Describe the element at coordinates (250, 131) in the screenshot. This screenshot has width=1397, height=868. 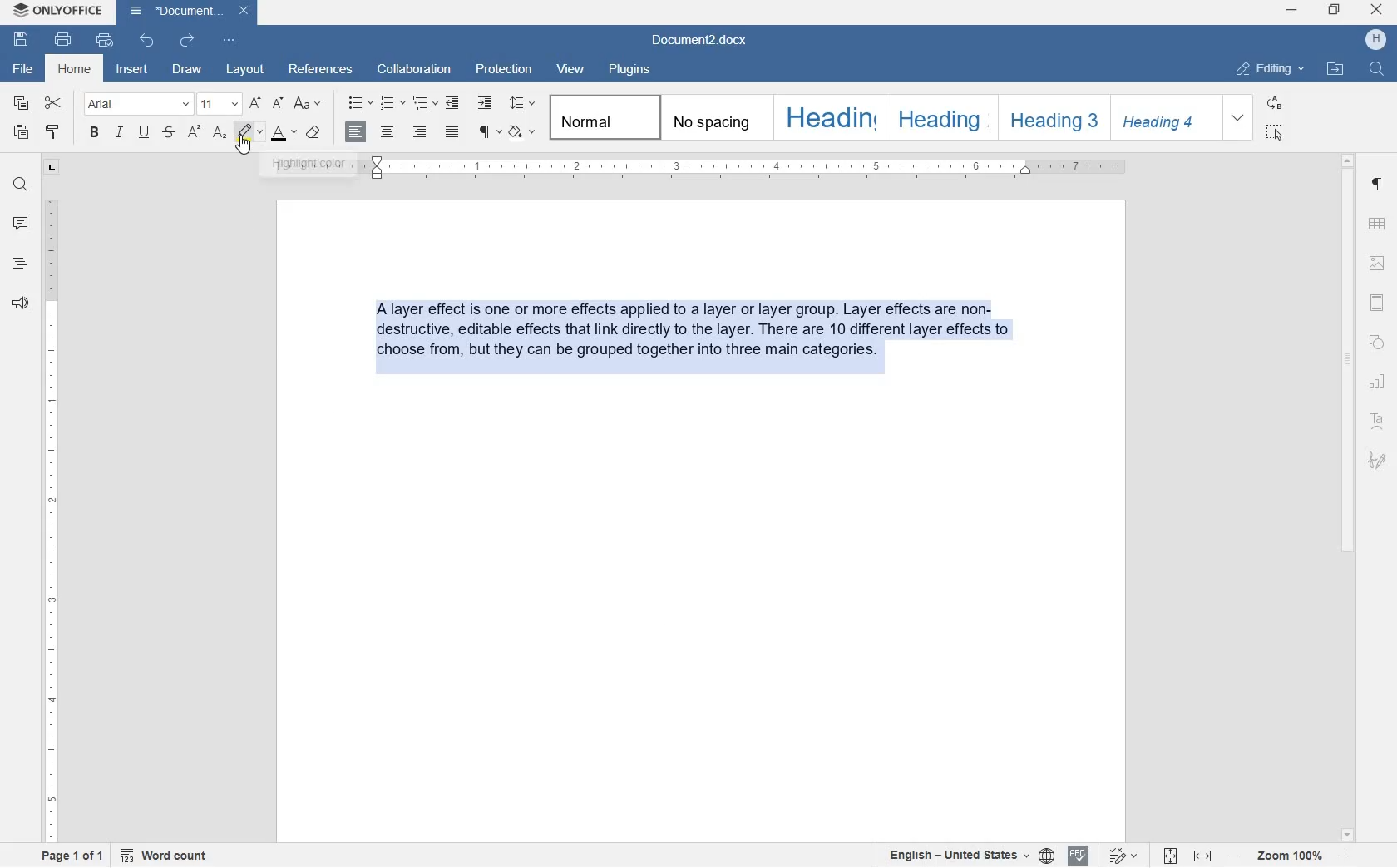
I see `HIGHLIGHT COLOR` at that location.